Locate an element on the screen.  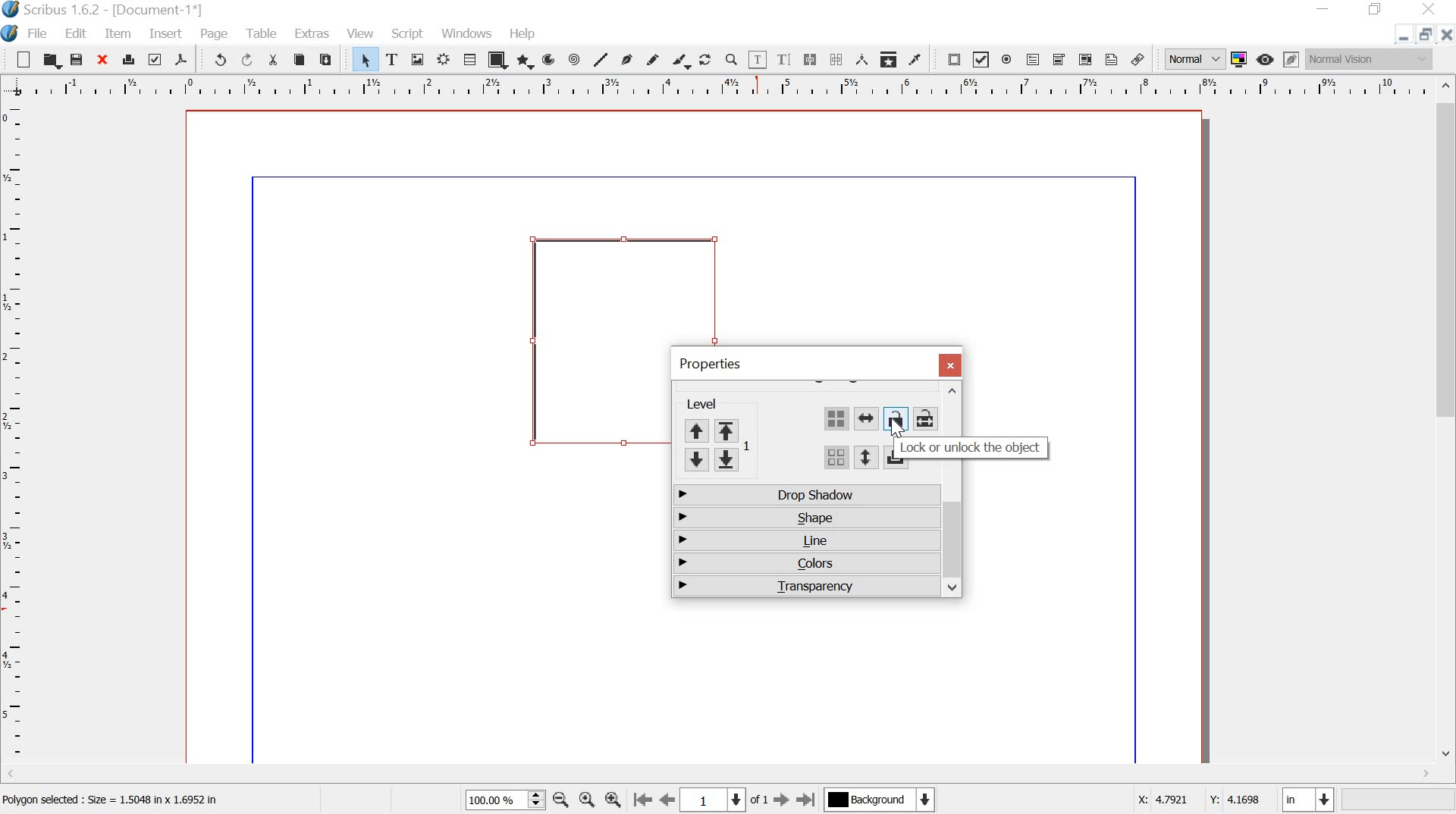
pdf check box is located at coordinates (981, 60).